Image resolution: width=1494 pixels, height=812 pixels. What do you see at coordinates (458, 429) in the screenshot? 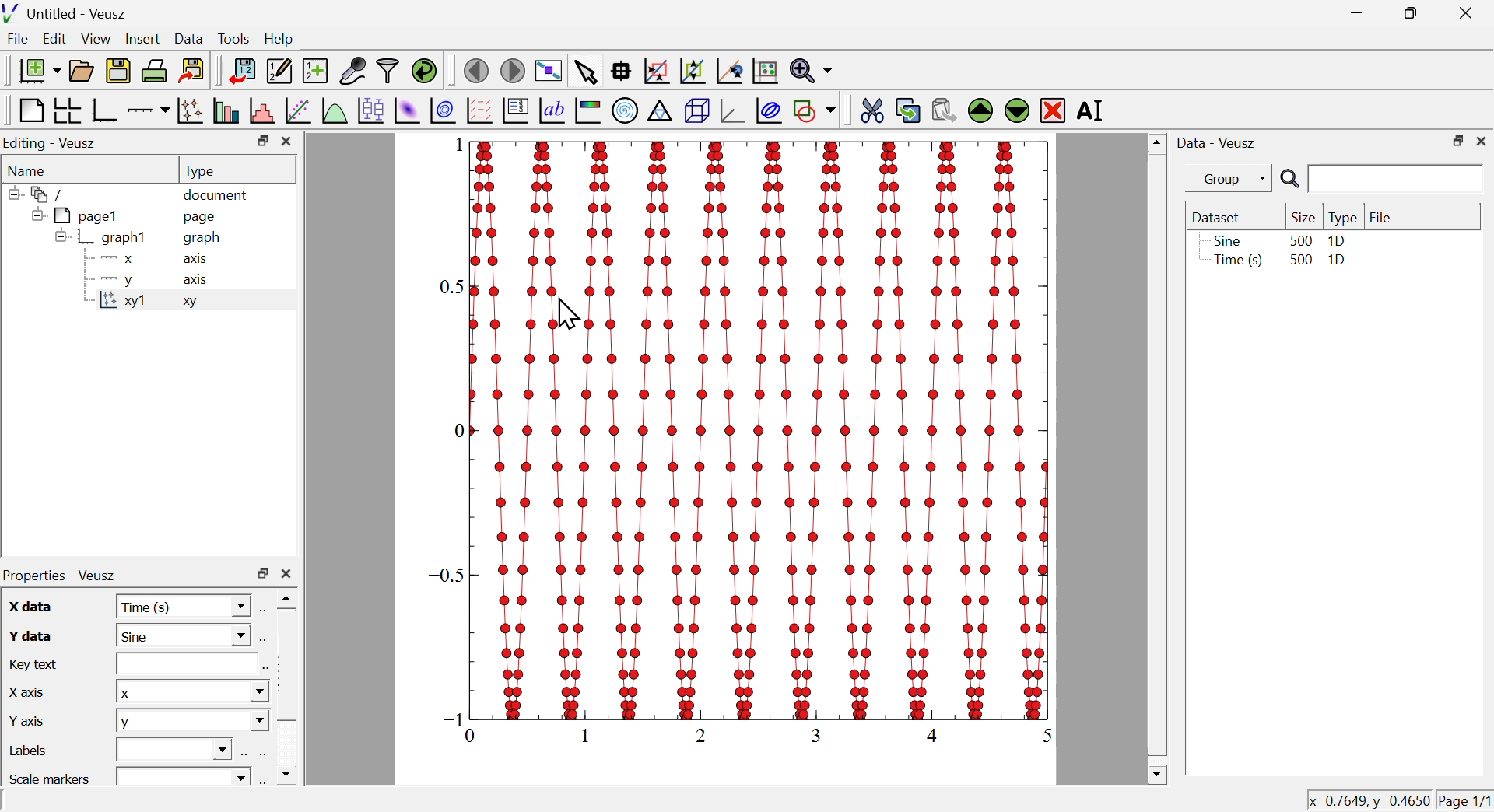
I see `0` at bounding box center [458, 429].